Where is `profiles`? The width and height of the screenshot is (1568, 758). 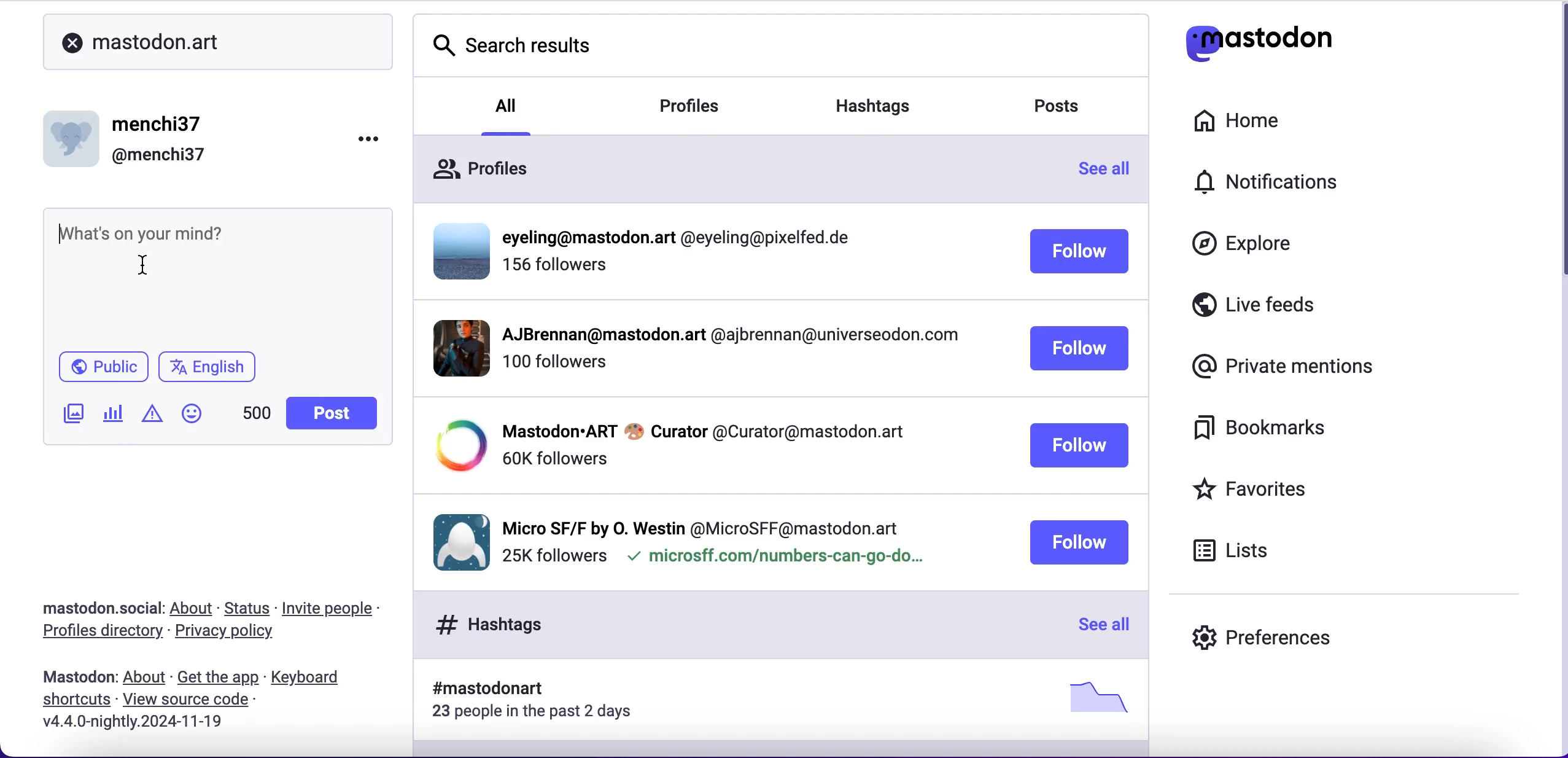 profiles is located at coordinates (708, 107).